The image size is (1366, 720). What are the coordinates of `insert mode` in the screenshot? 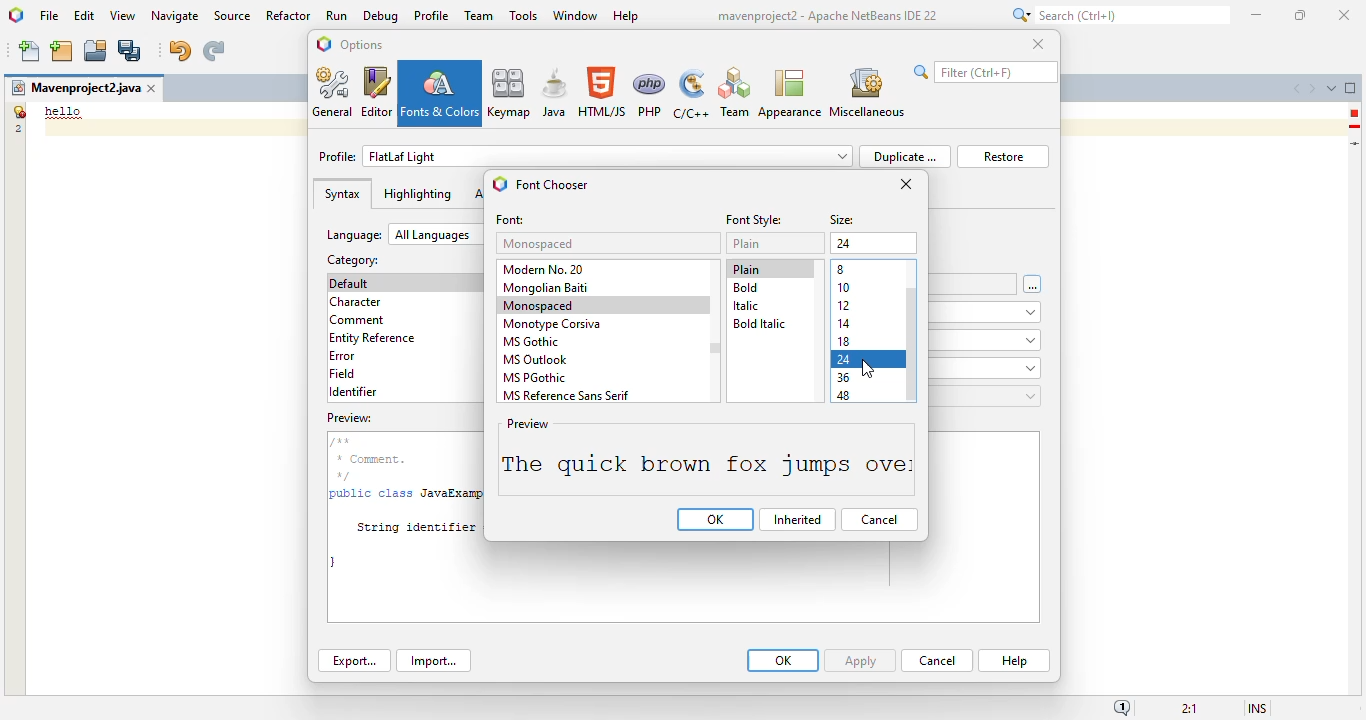 It's located at (1257, 707).